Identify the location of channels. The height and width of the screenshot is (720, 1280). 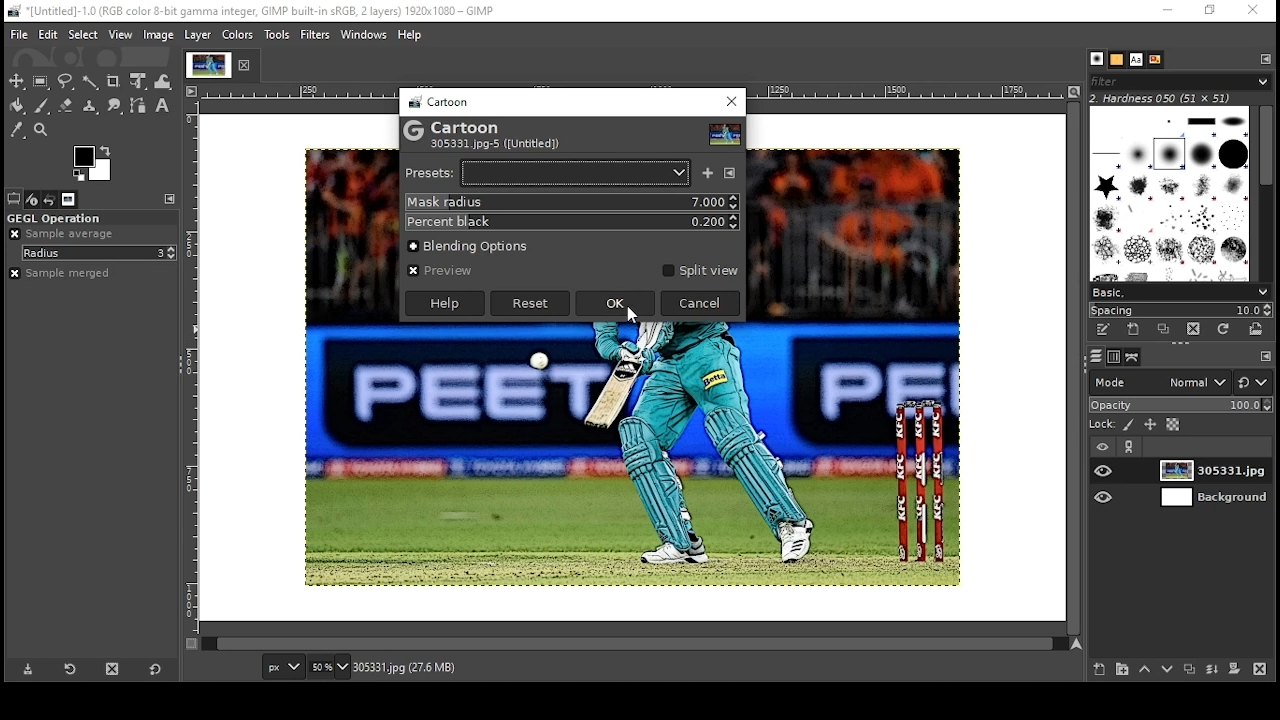
(1115, 358).